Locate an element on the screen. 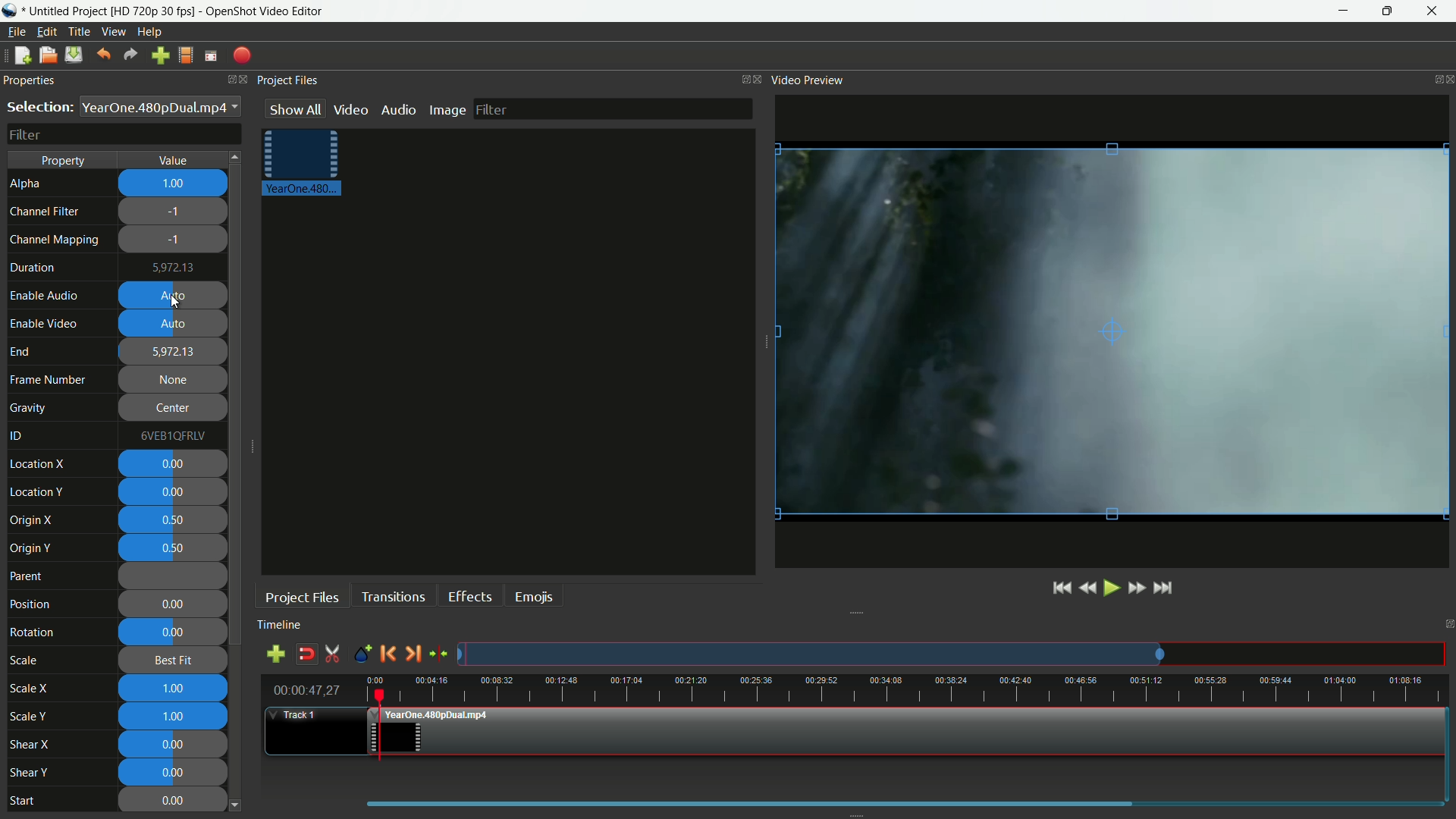 This screenshot has width=1456, height=819. origin y is located at coordinates (31, 548).